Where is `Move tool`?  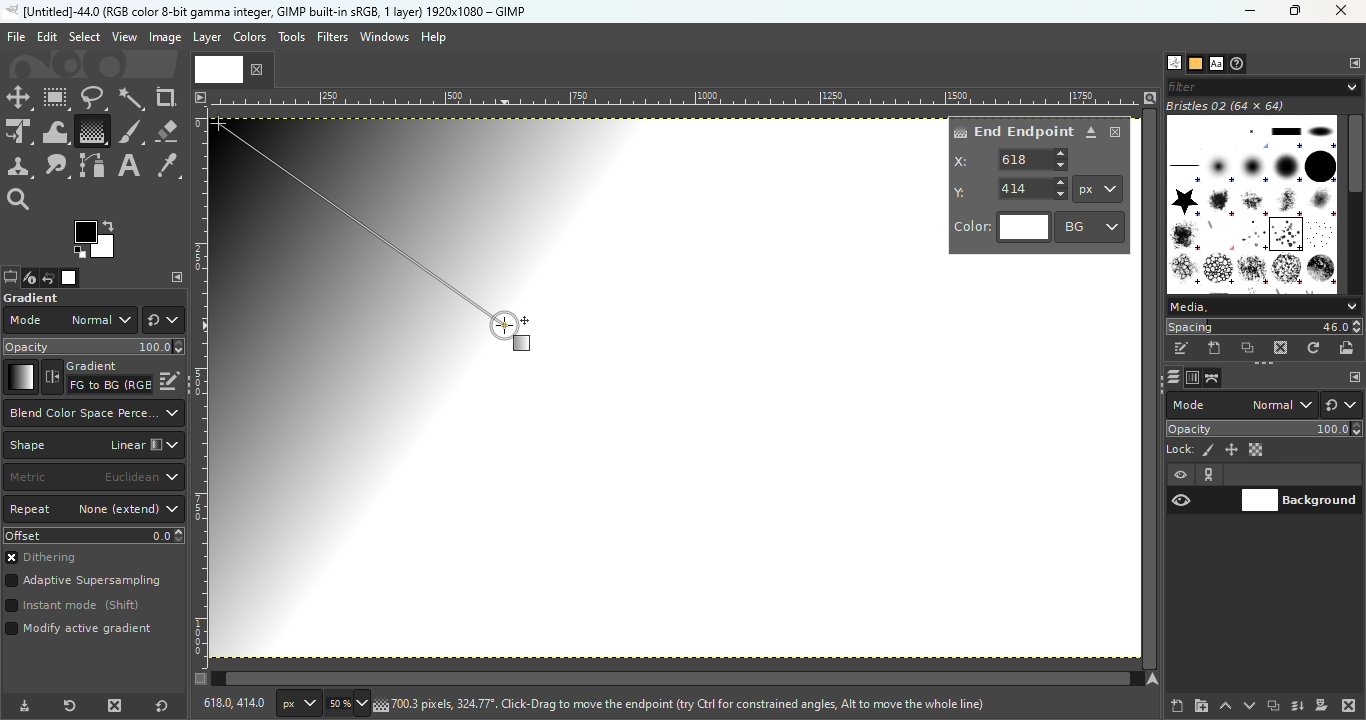
Move tool is located at coordinates (19, 98).